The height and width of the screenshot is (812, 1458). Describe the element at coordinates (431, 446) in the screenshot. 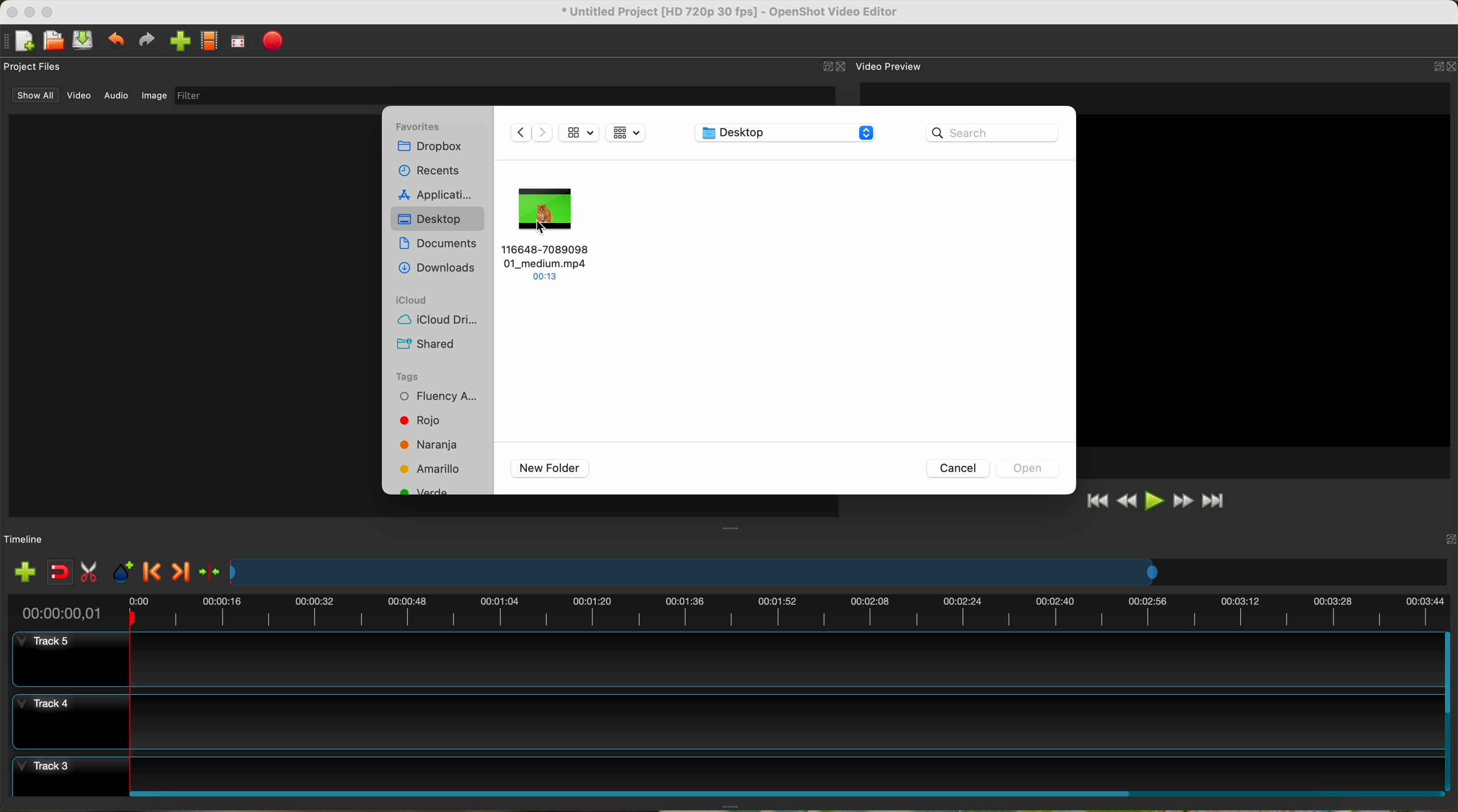

I see `orange tag` at that location.